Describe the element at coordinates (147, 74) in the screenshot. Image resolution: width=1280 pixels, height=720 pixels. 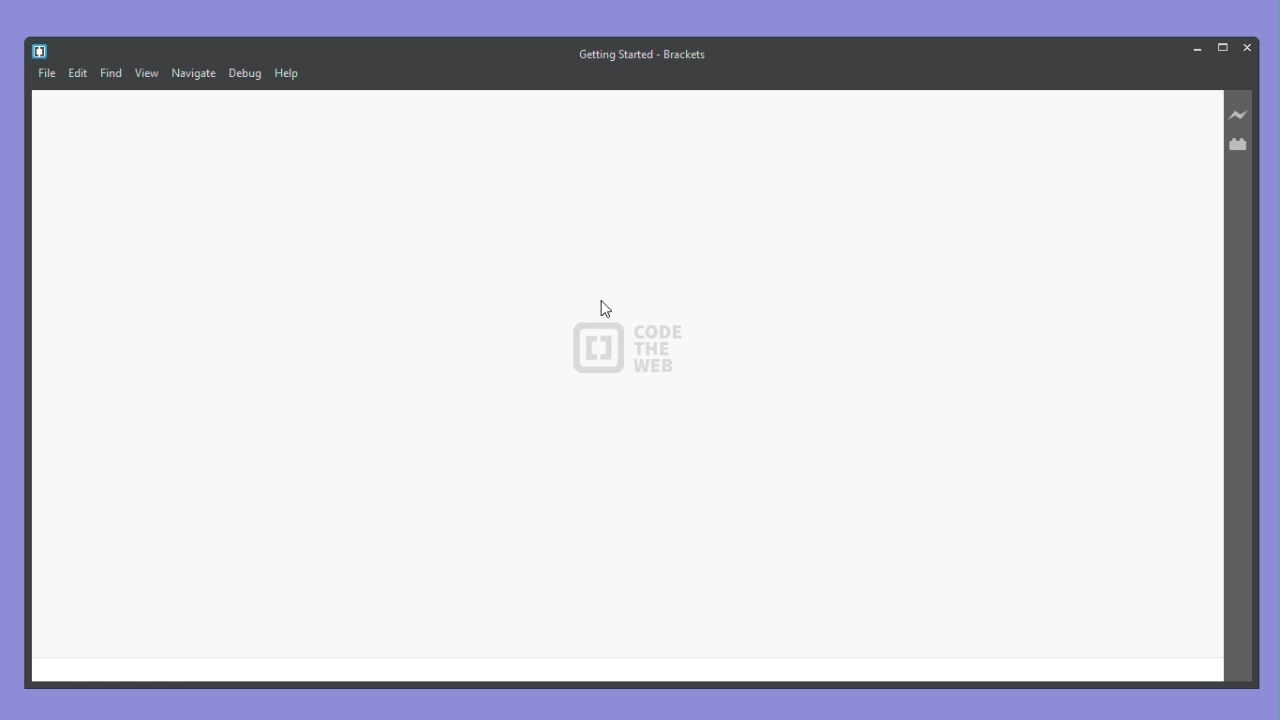
I see `view` at that location.